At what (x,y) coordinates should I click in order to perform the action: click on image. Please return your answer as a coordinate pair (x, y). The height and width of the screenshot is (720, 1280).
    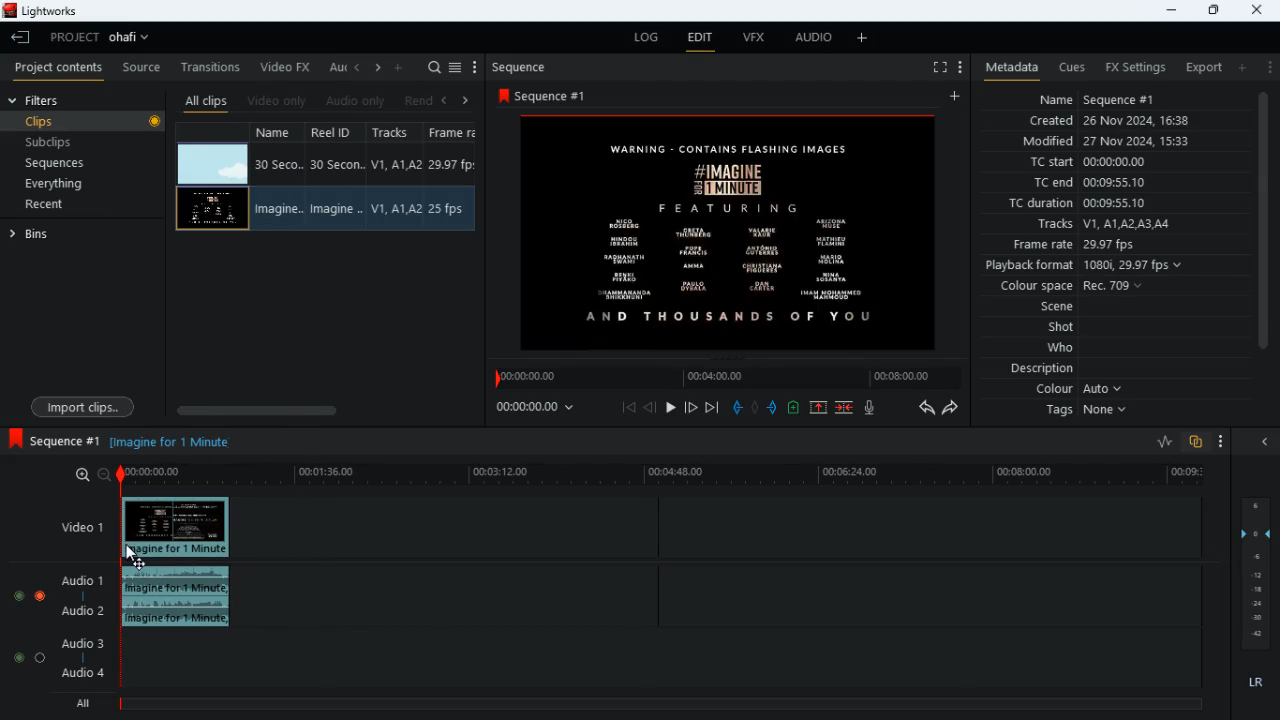
    Looking at the image, I should click on (736, 233).